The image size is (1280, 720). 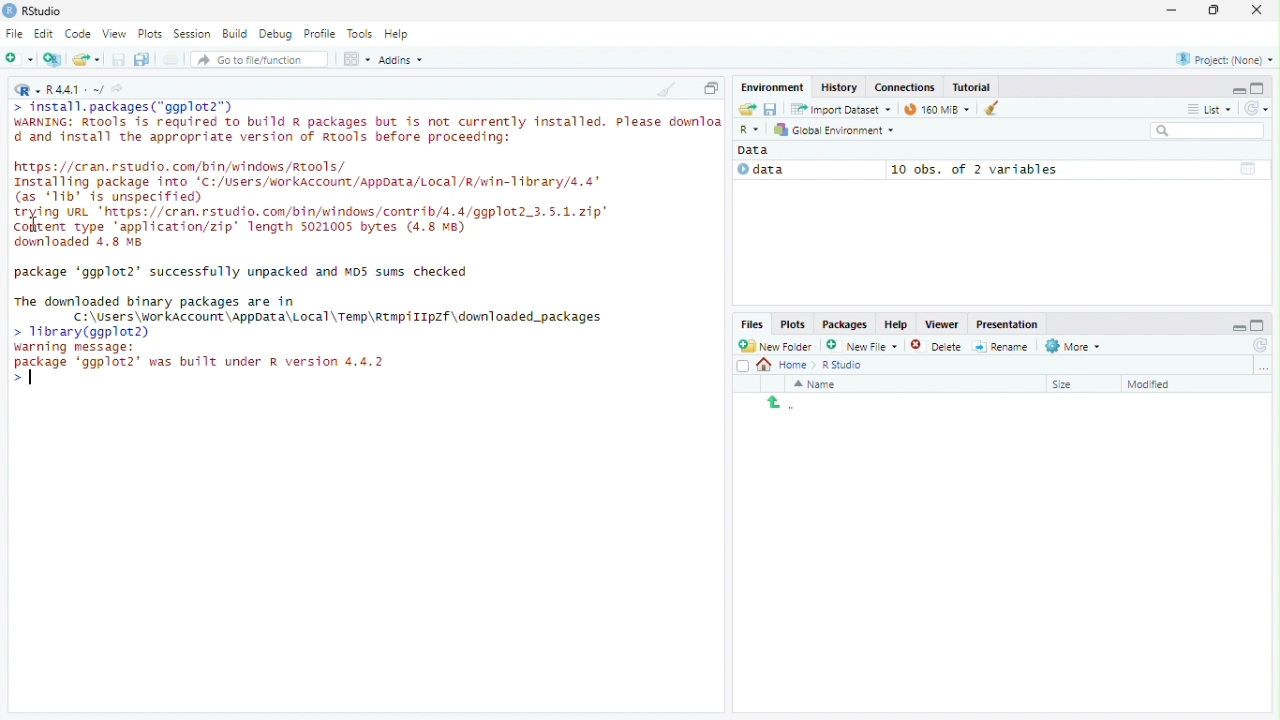 I want to click on Import Dataset, so click(x=840, y=110).